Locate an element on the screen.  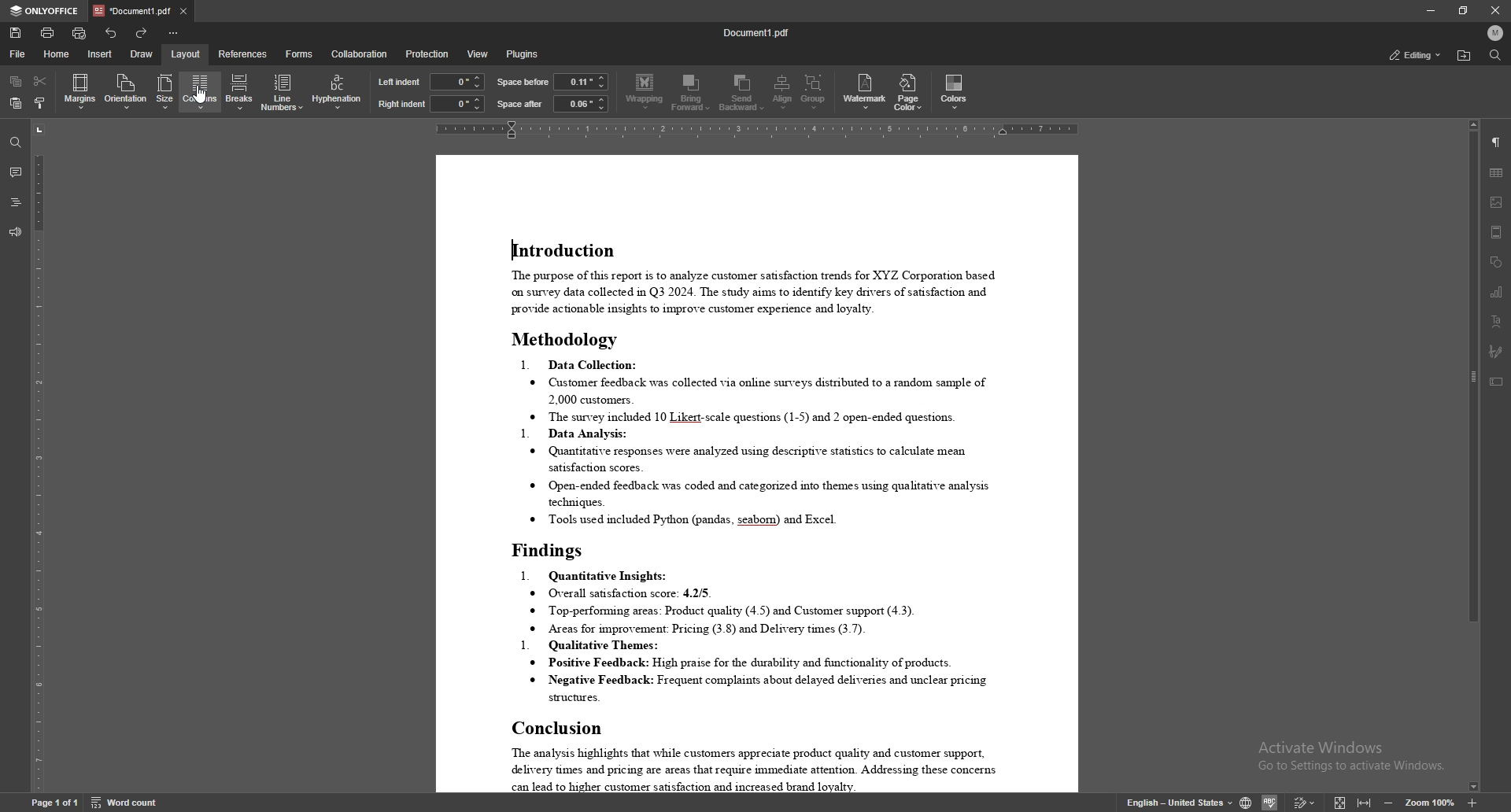
text box is located at coordinates (1498, 382).